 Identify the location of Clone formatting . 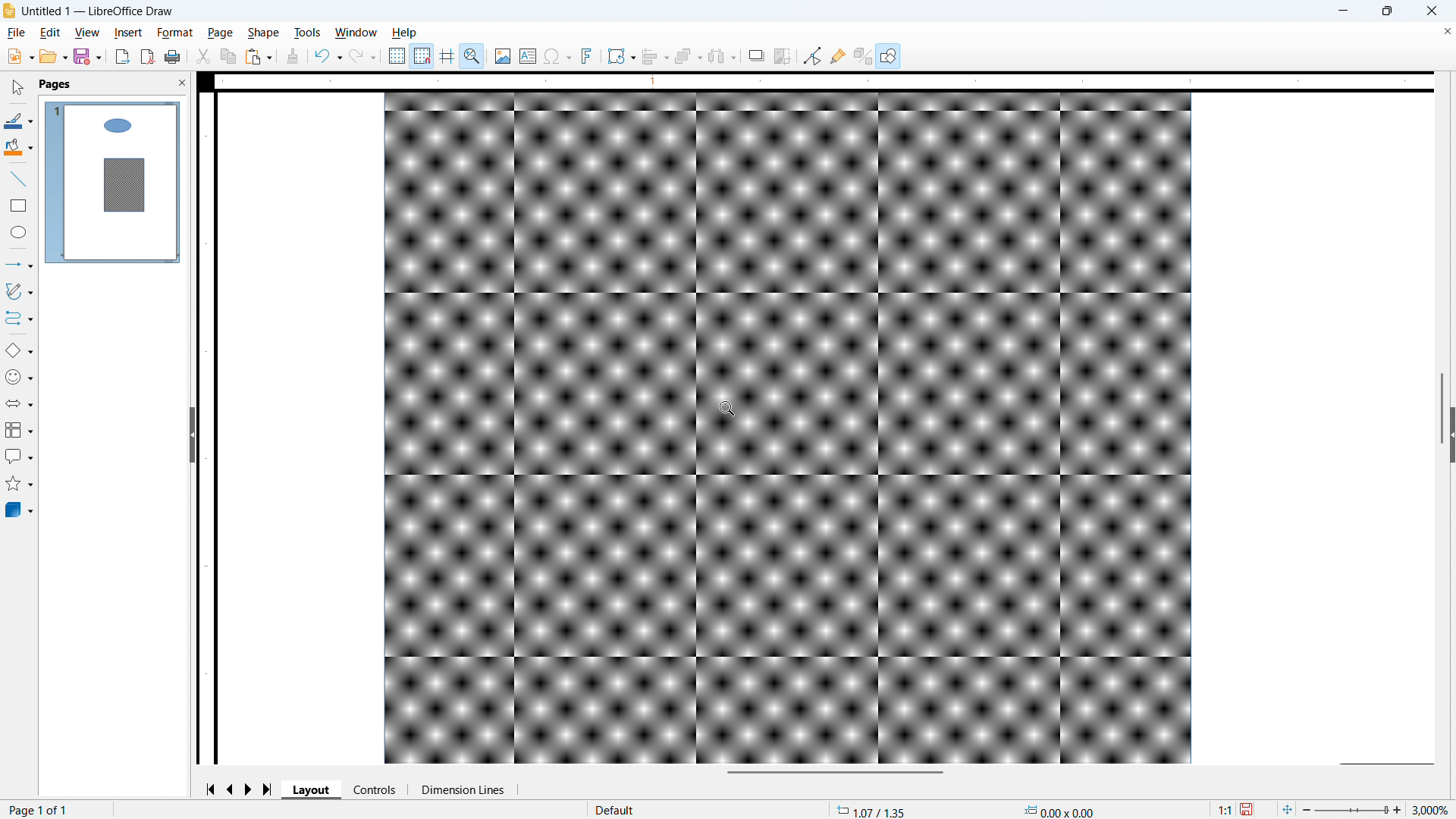
(293, 56).